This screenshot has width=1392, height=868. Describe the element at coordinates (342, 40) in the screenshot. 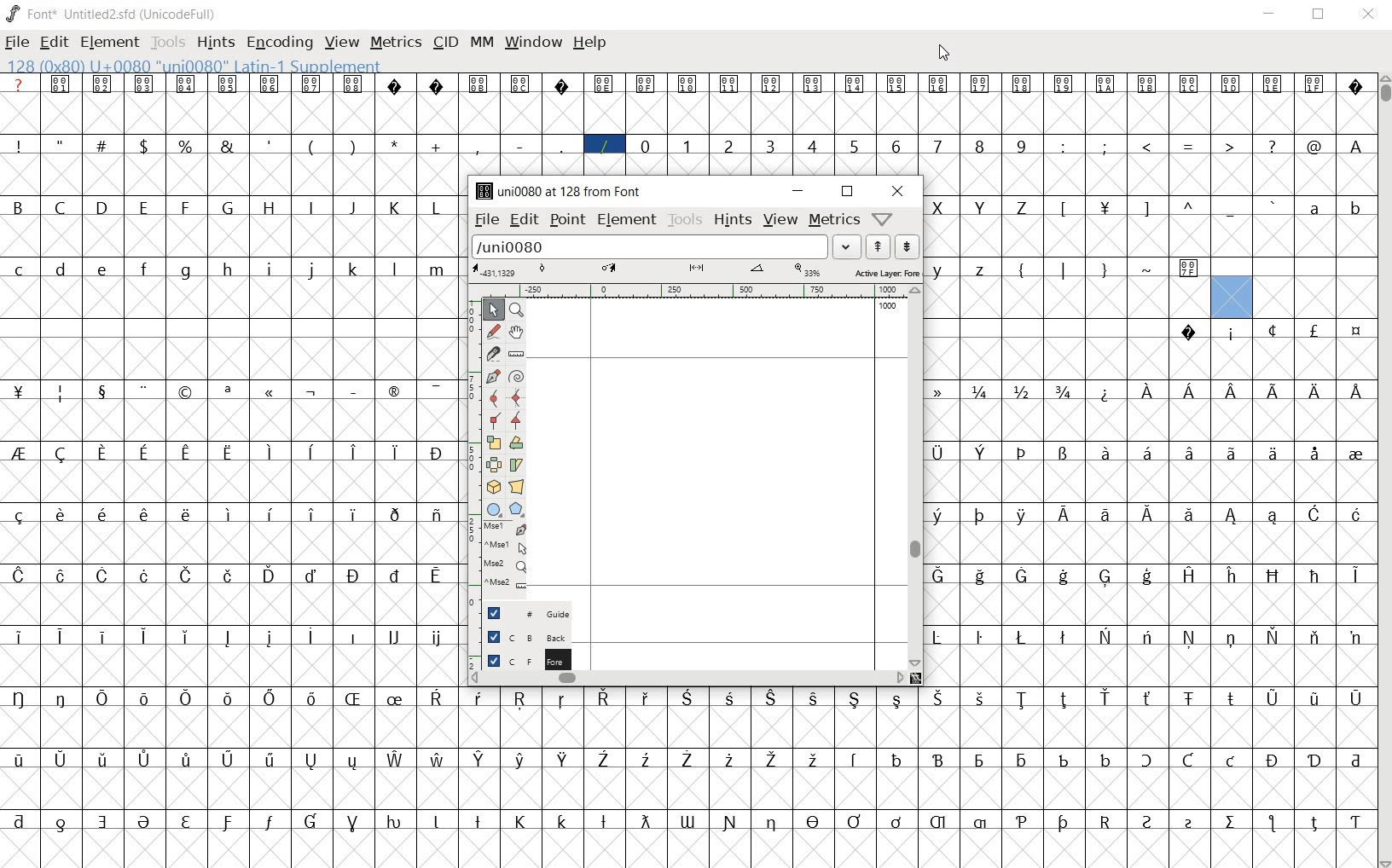

I see `VIEW` at that location.